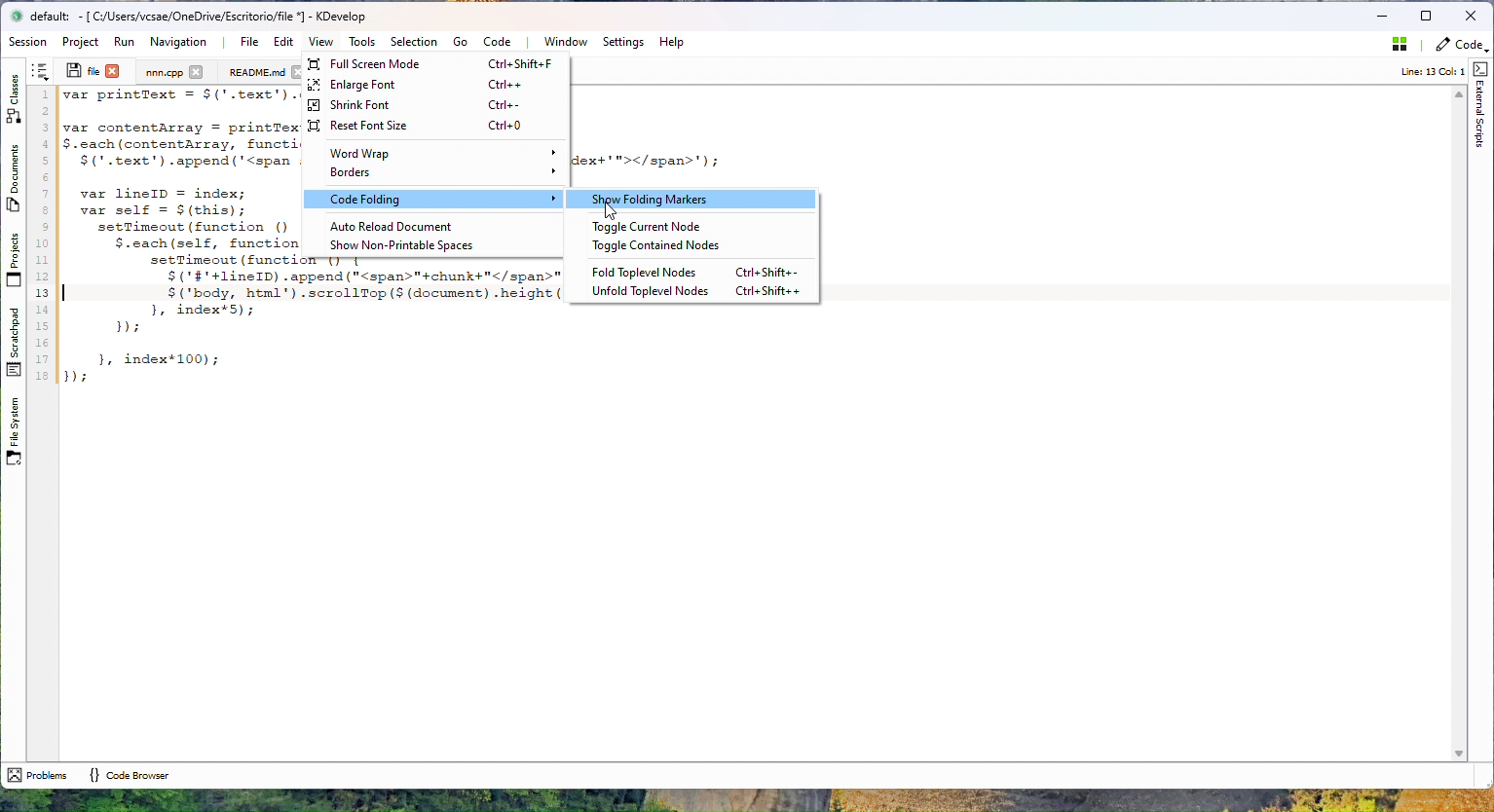  I want to click on View, so click(320, 41).